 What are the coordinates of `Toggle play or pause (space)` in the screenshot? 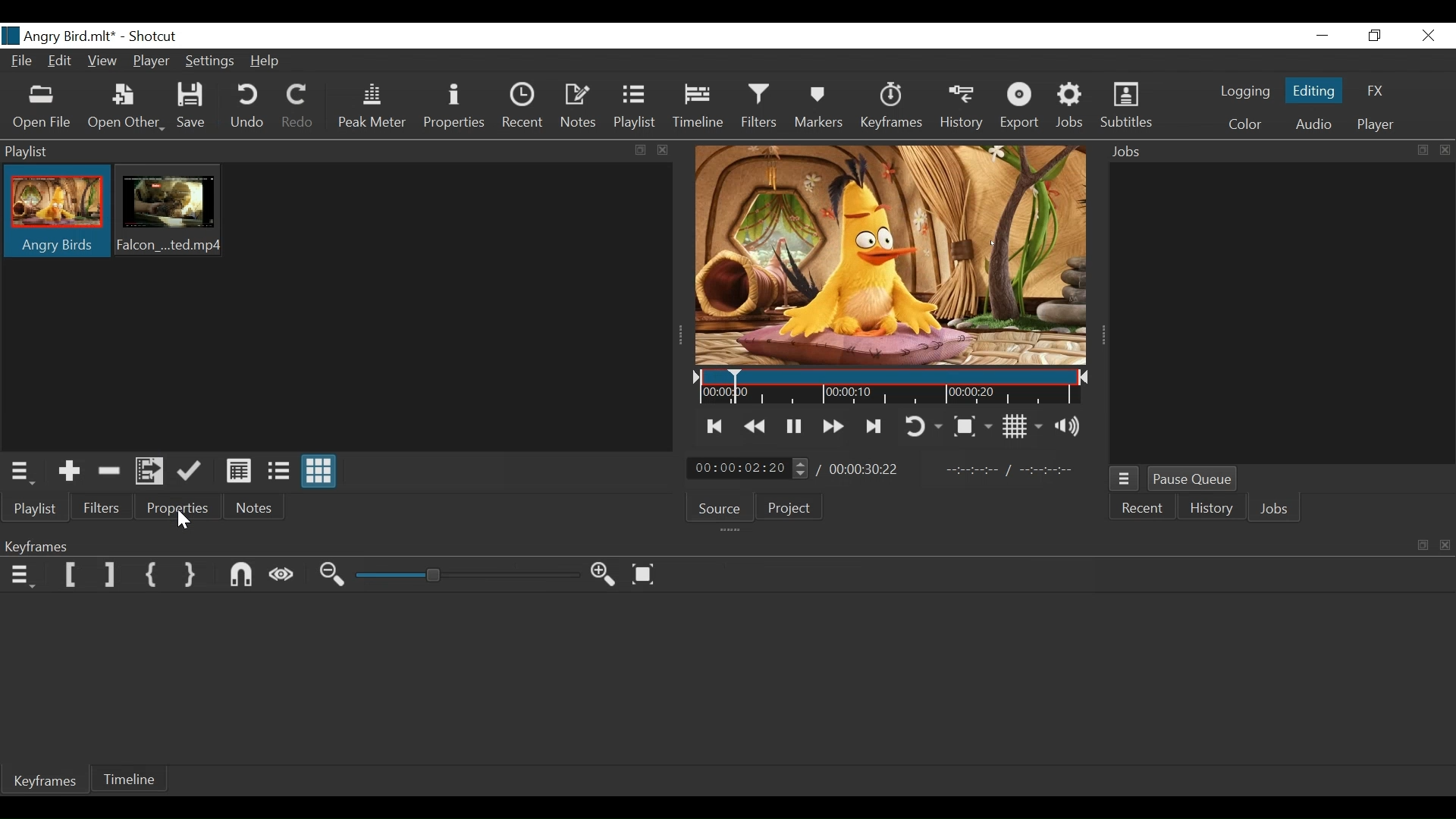 It's located at (793, 425).